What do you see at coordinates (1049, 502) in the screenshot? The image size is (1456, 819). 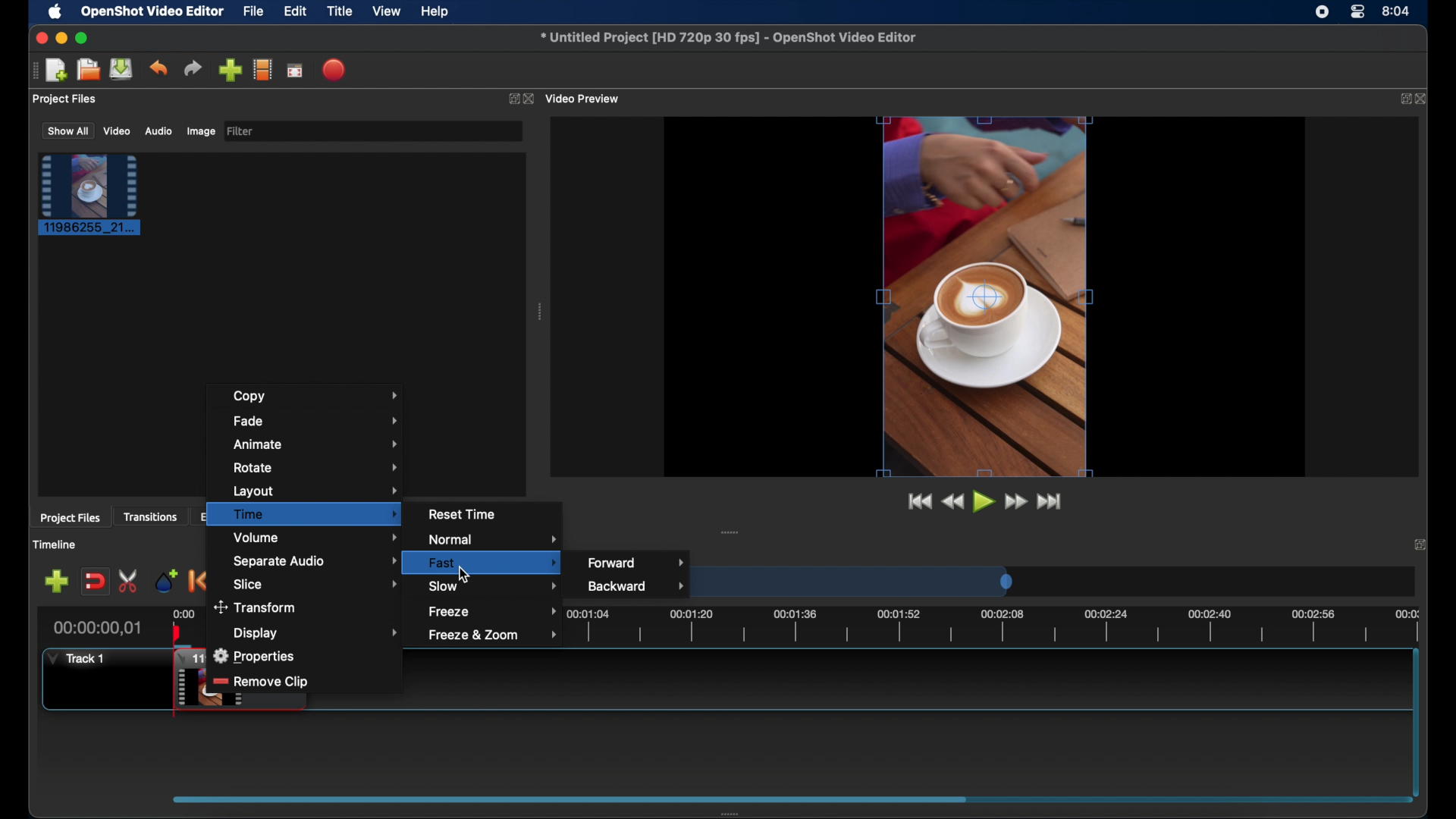 I see `jump to end` at bounding box center [1049, 502].